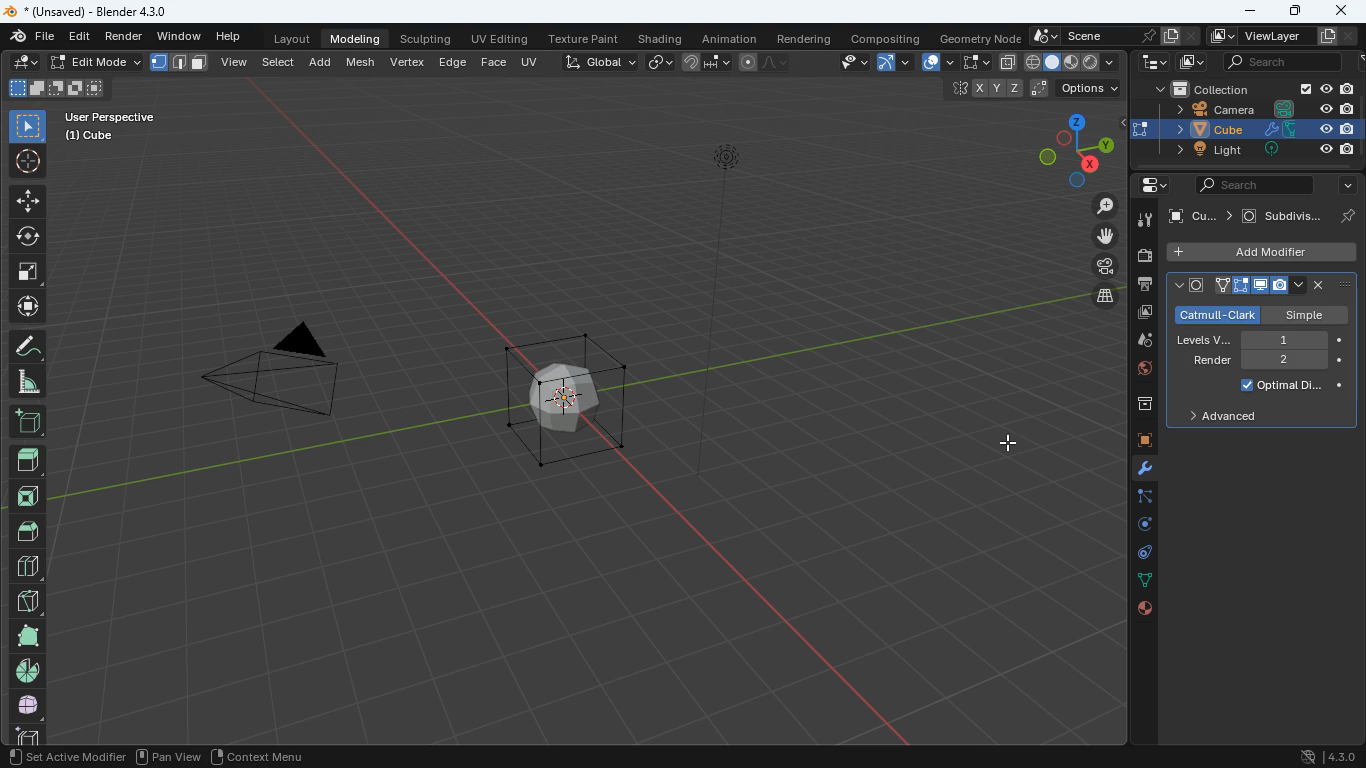 This screenshot has width=1366, height=768. I want to click on edge, so click(453, 61).